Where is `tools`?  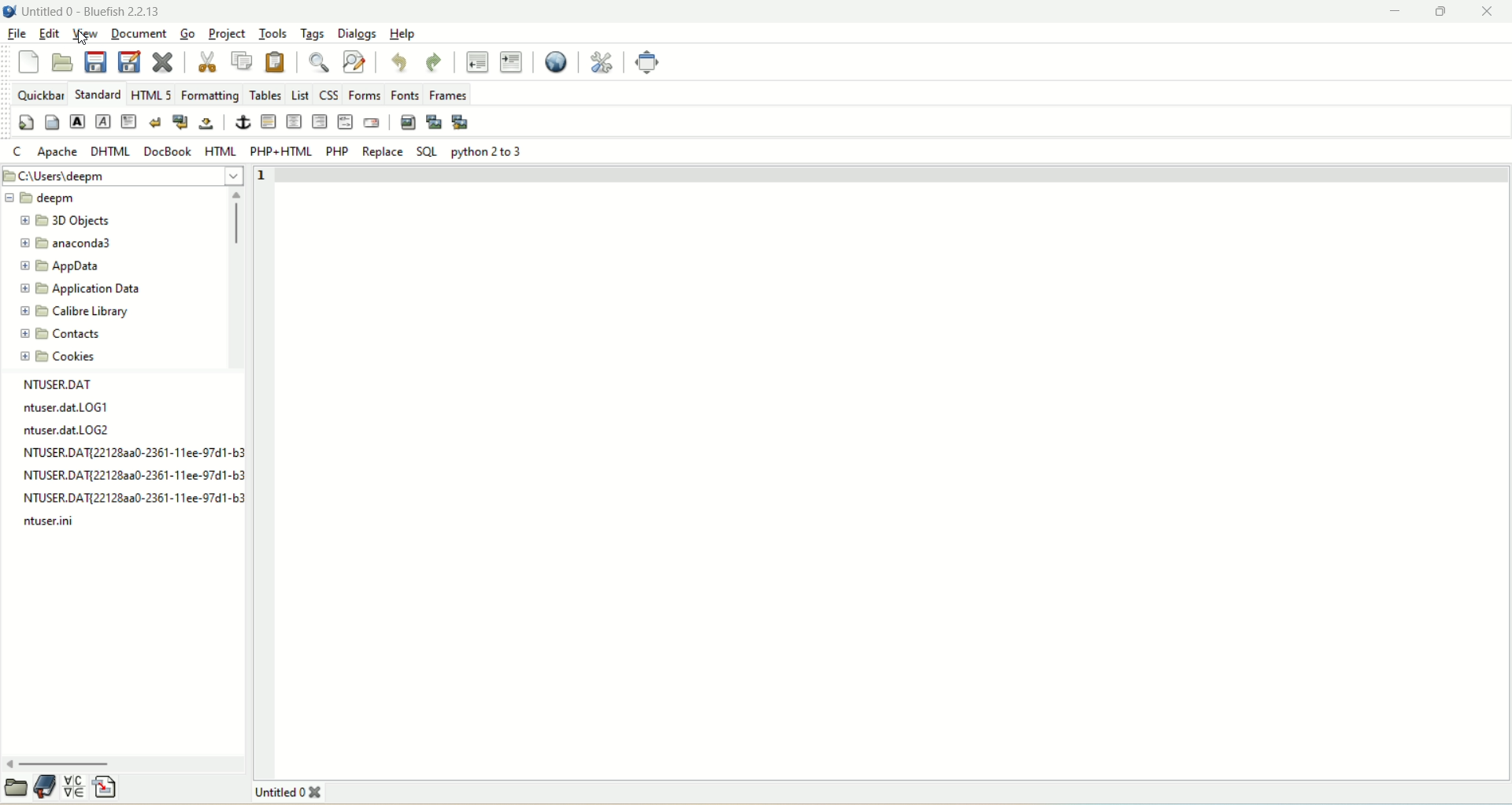
tools is located at coordinates (272, 34).